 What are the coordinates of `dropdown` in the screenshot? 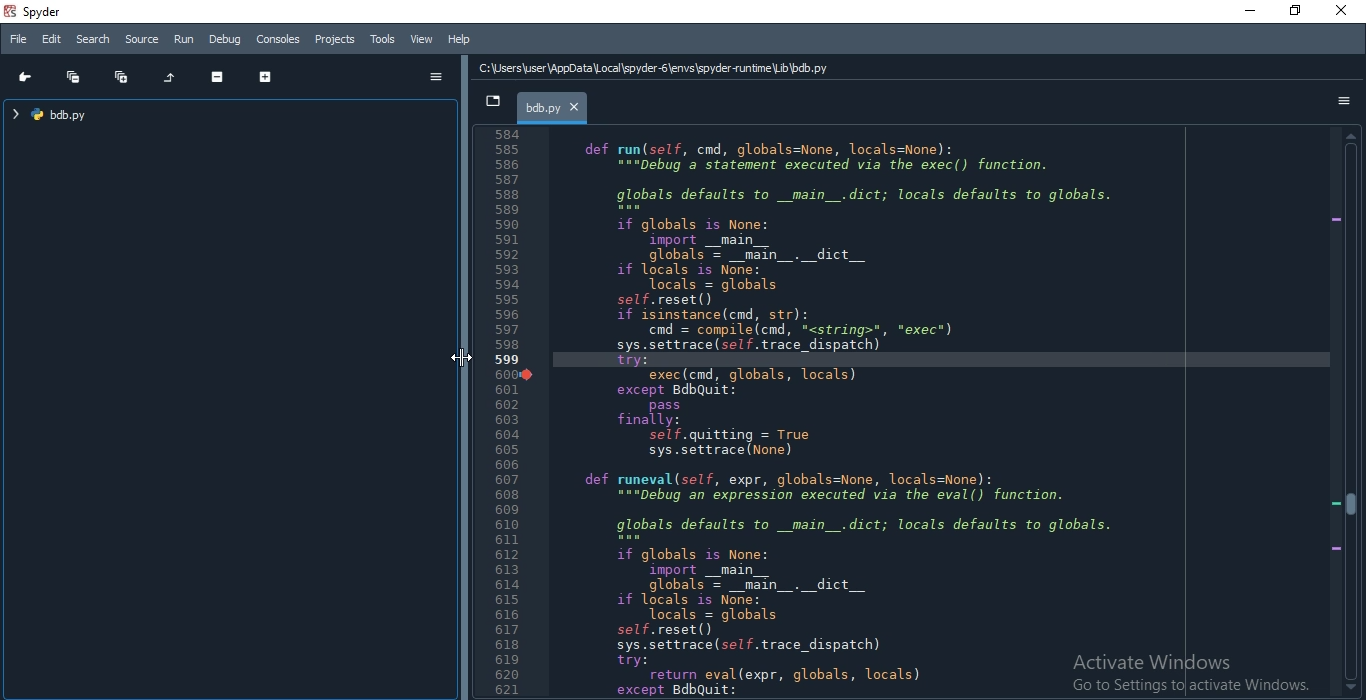 It's located at (494, 102).